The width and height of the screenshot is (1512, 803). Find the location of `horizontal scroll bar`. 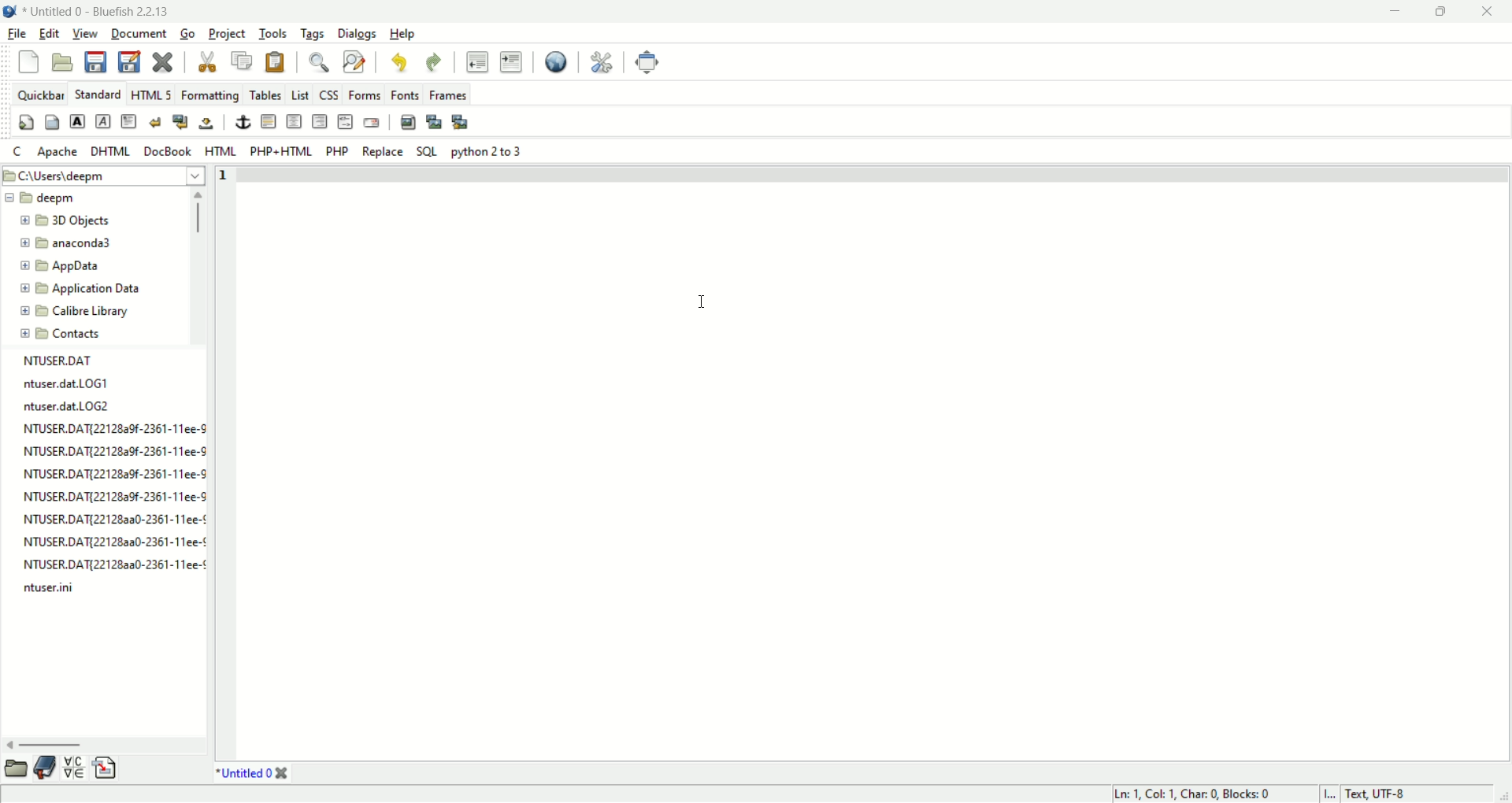

horizontal scroll bar is located at coordinates (50, 746).